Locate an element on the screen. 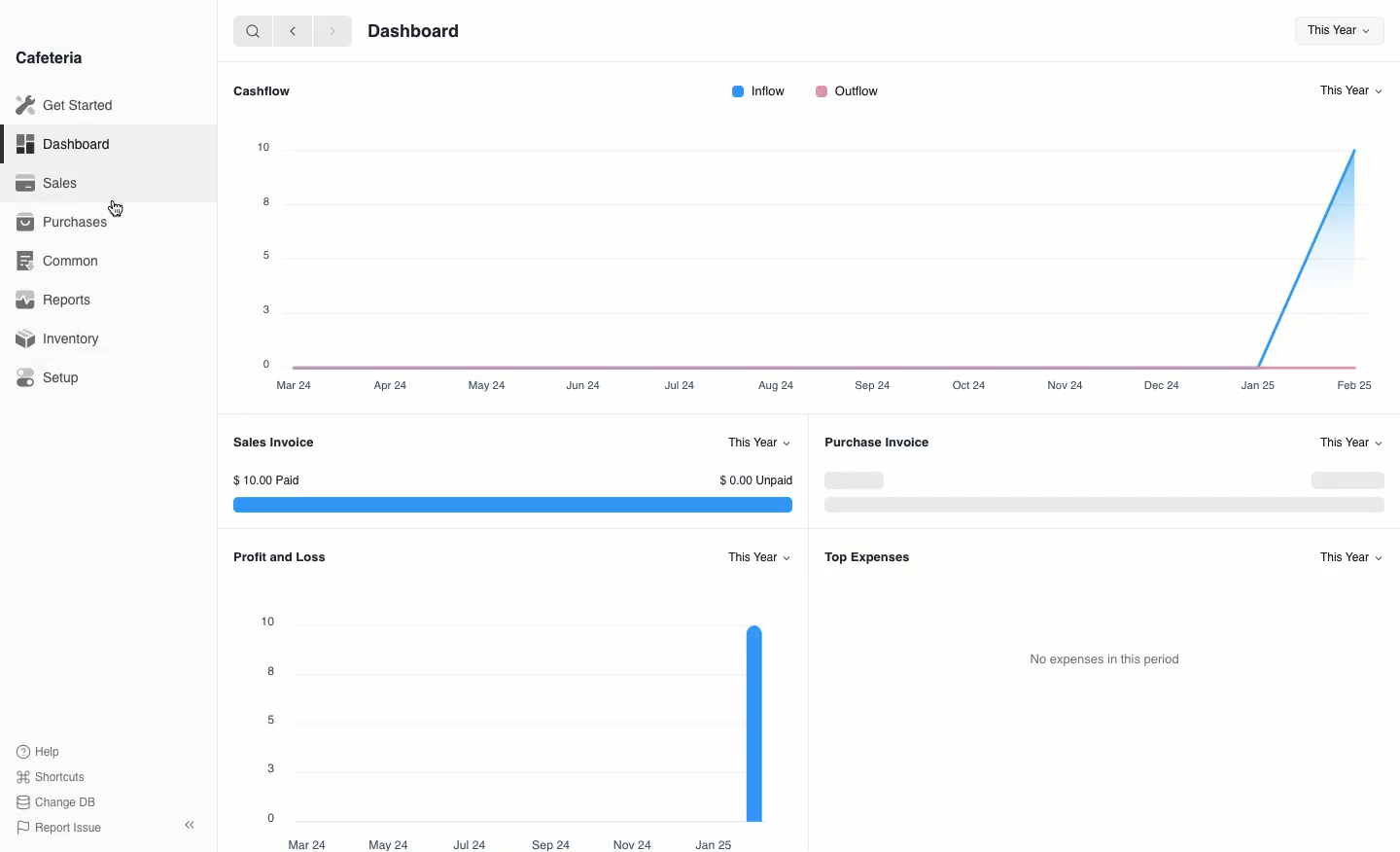 The width and height of the screenshot is (1400, 852). 0 is located at coordinates (269, 817).